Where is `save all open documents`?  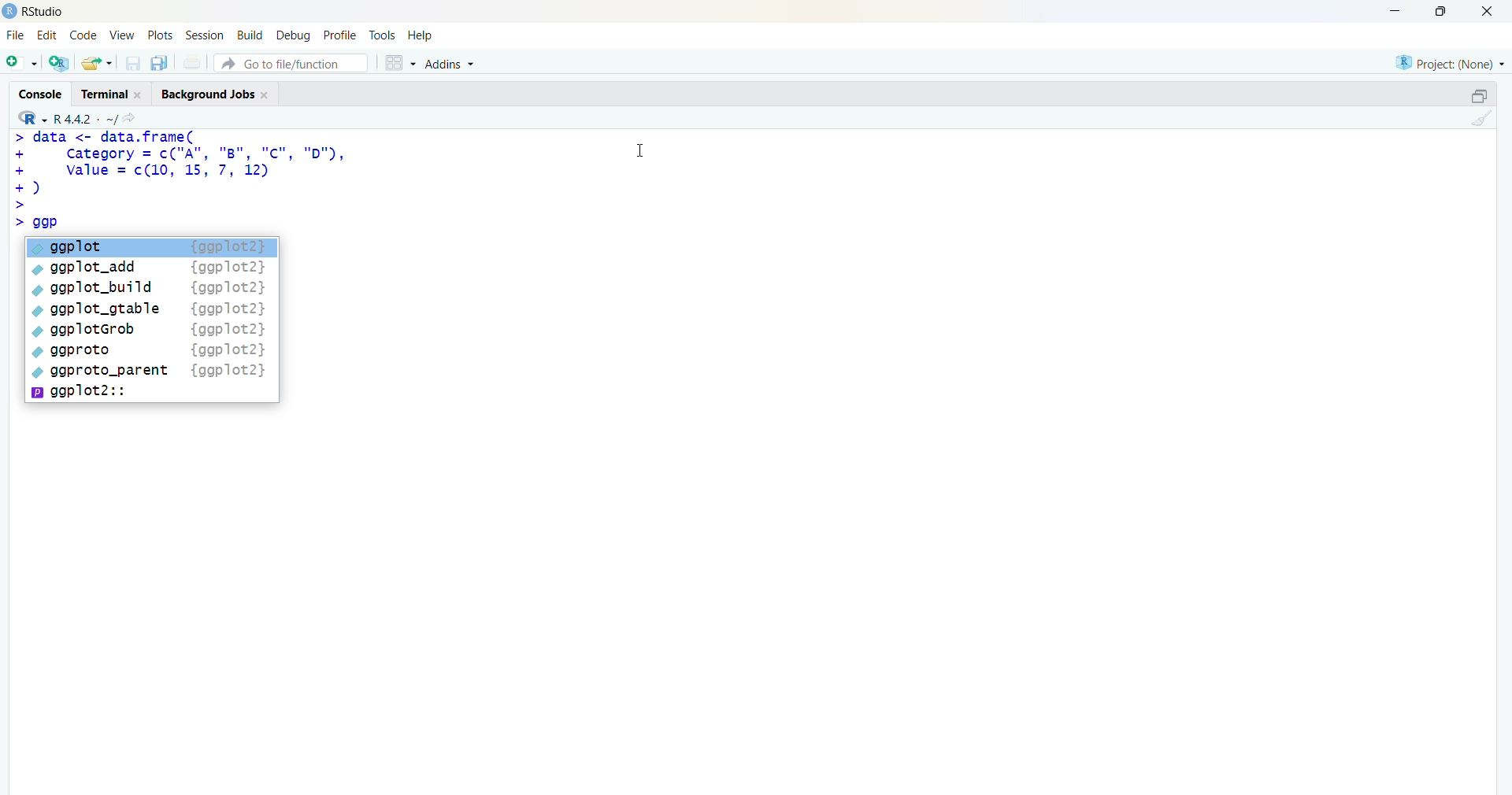 save all open documents is located at coordinates (158, 63).